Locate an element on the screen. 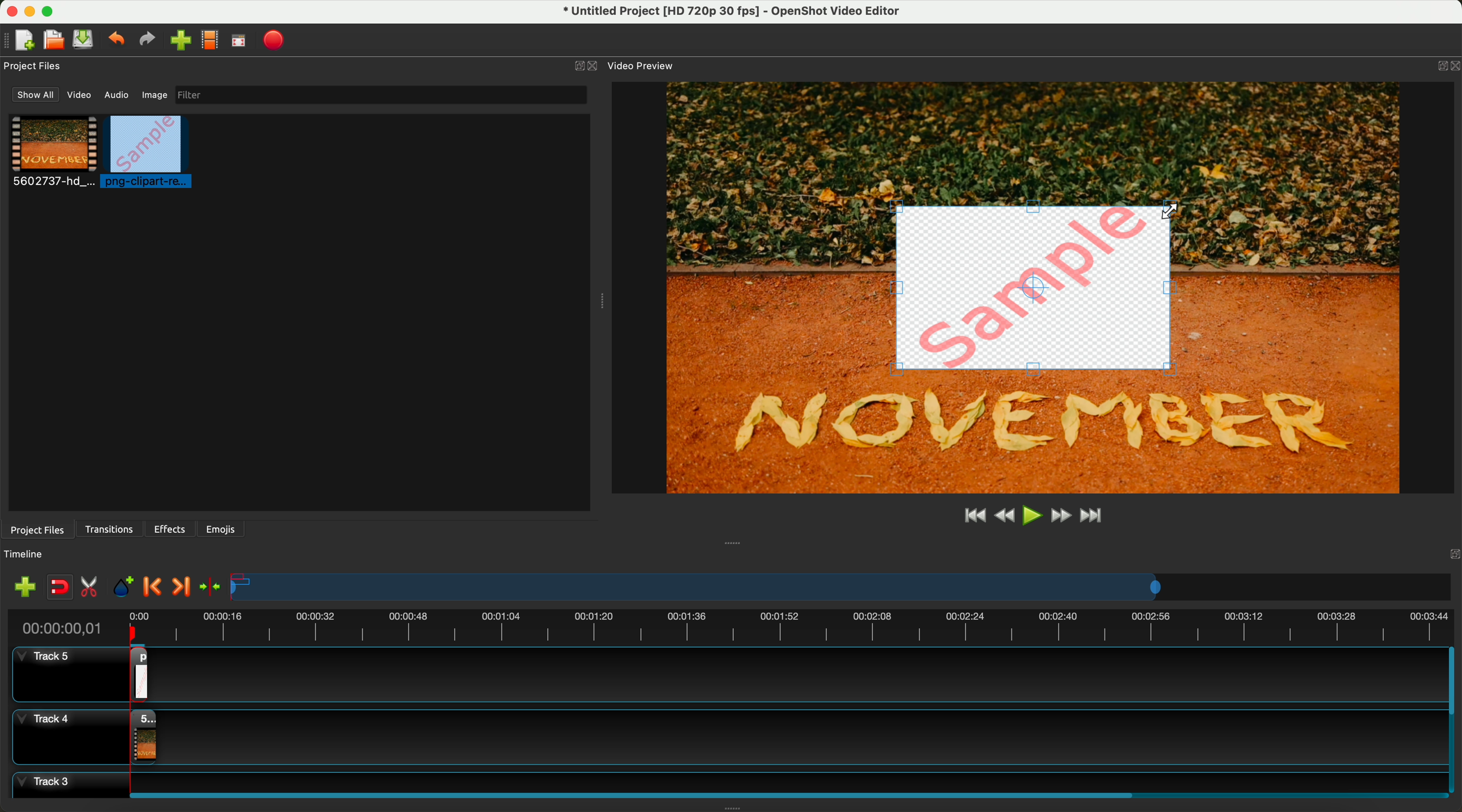 This screenshot has height=812, width=1462. export video is located at coordinates (278, 40).